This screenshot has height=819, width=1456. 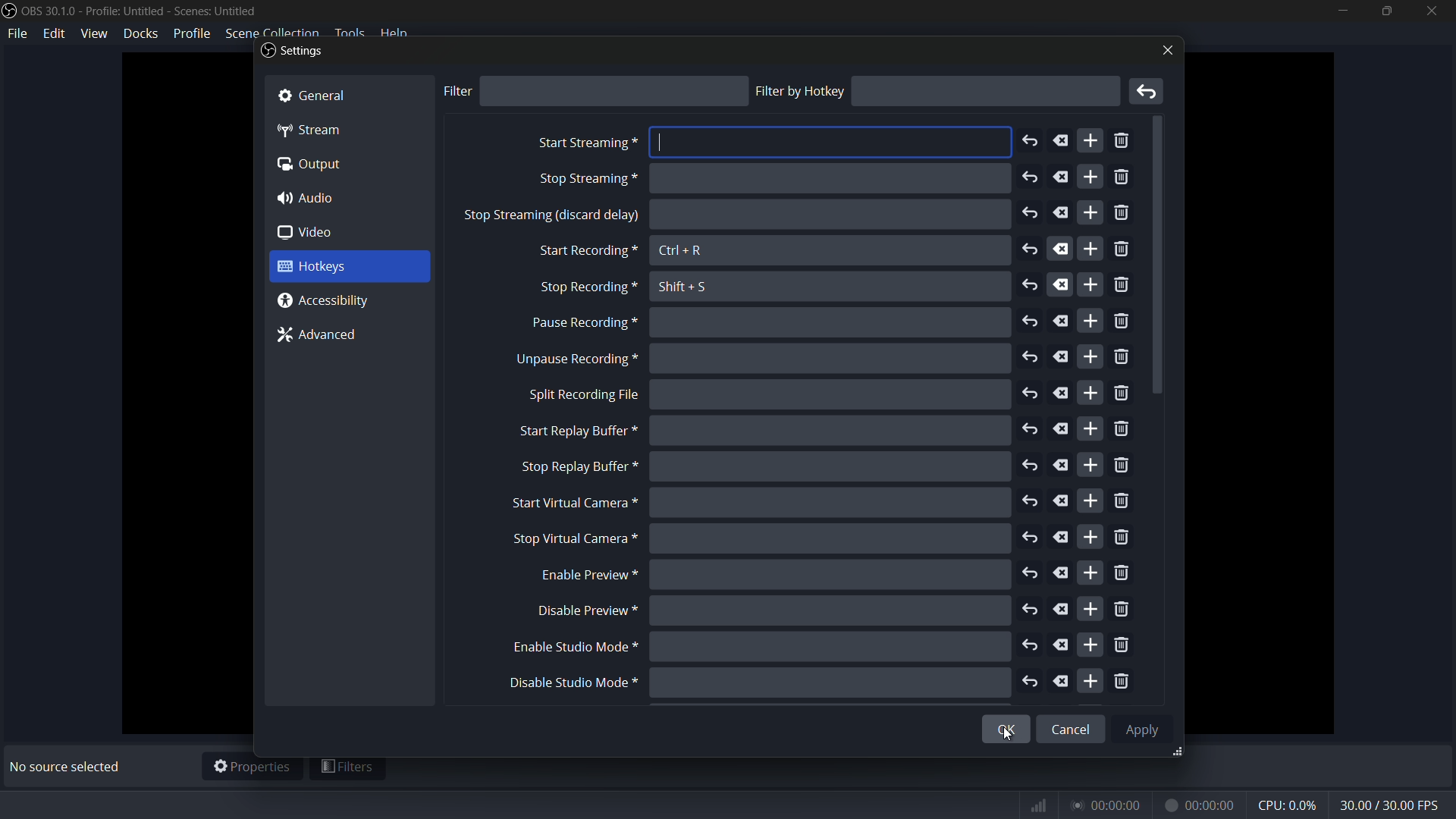 What do you see at coordinates (1122, 251) in the screenshot?
I see `remove` at bounding box center [1122, 251].